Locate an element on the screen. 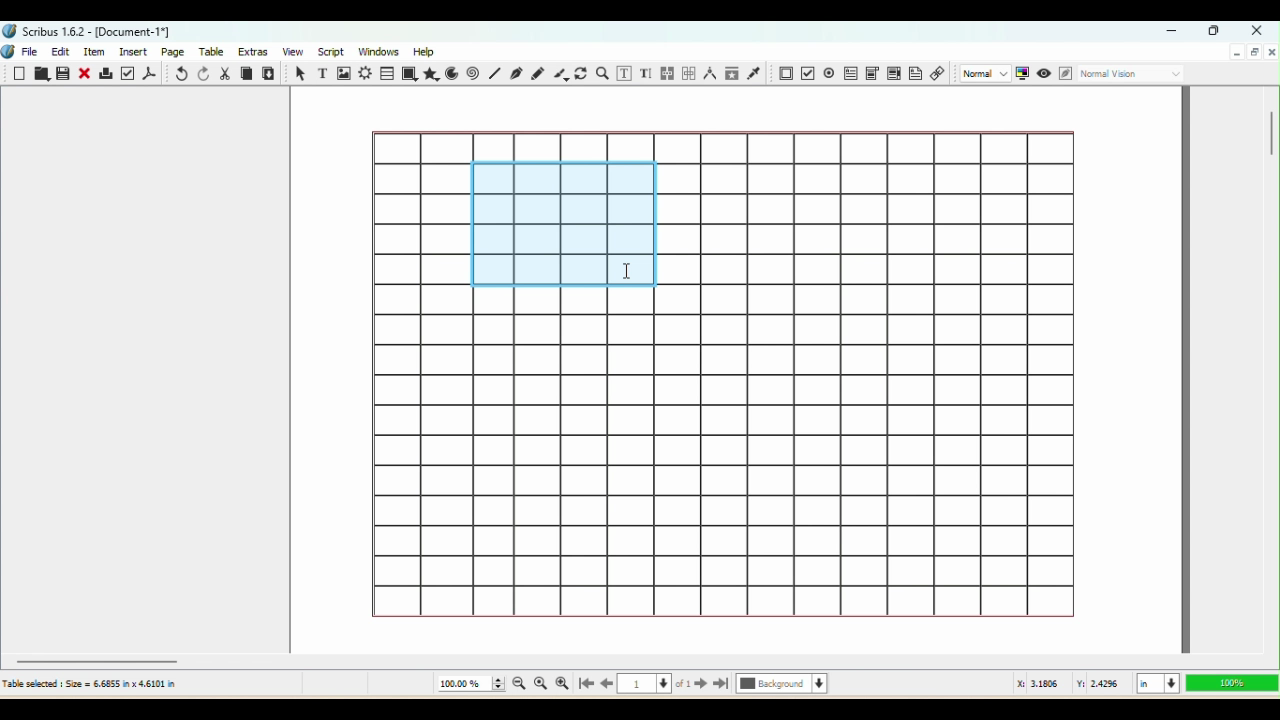  PDF list box is located at coordinates (893, 74).